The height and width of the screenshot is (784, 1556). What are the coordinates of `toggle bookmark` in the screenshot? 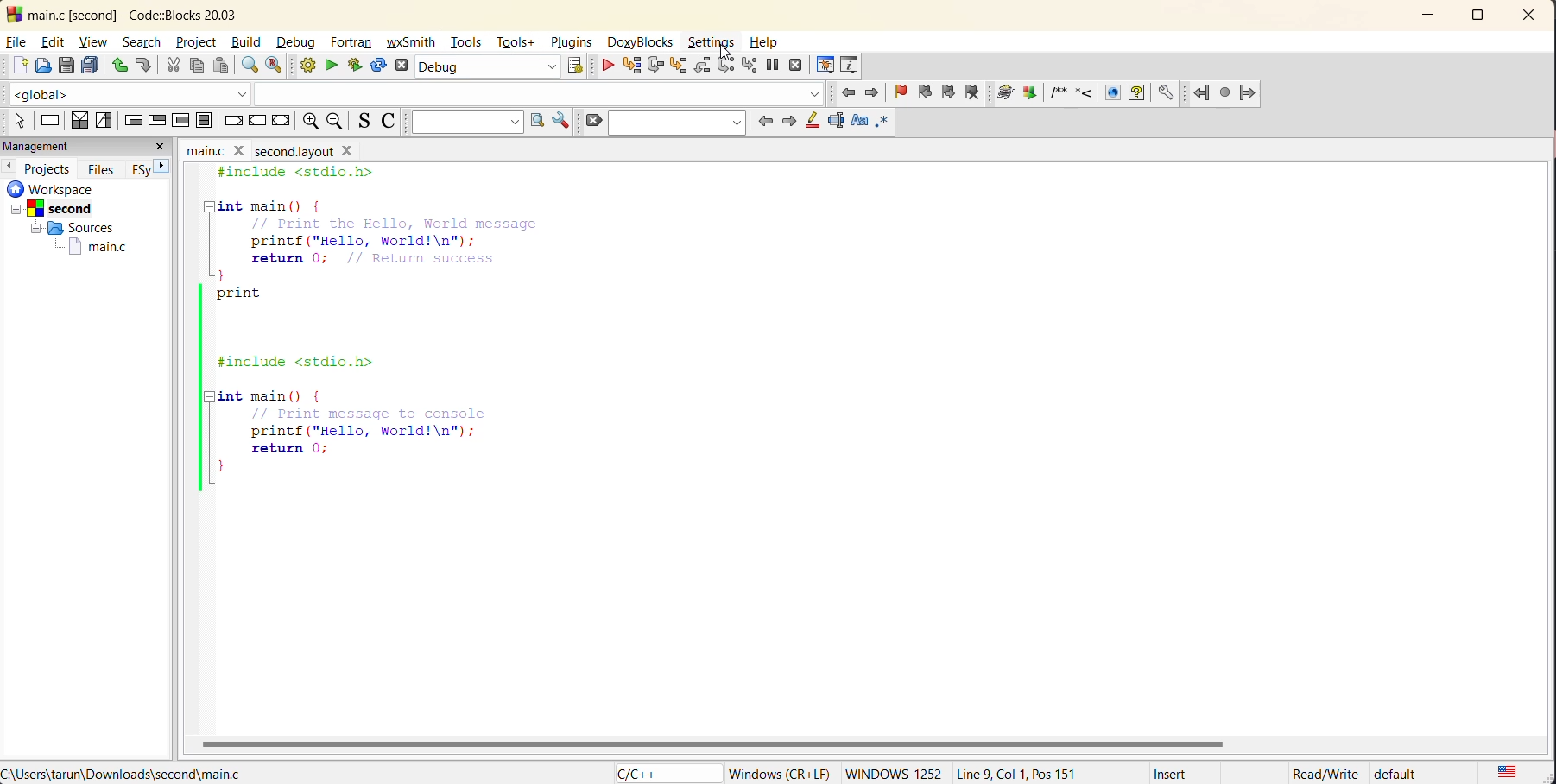 It's located at (902, 93).